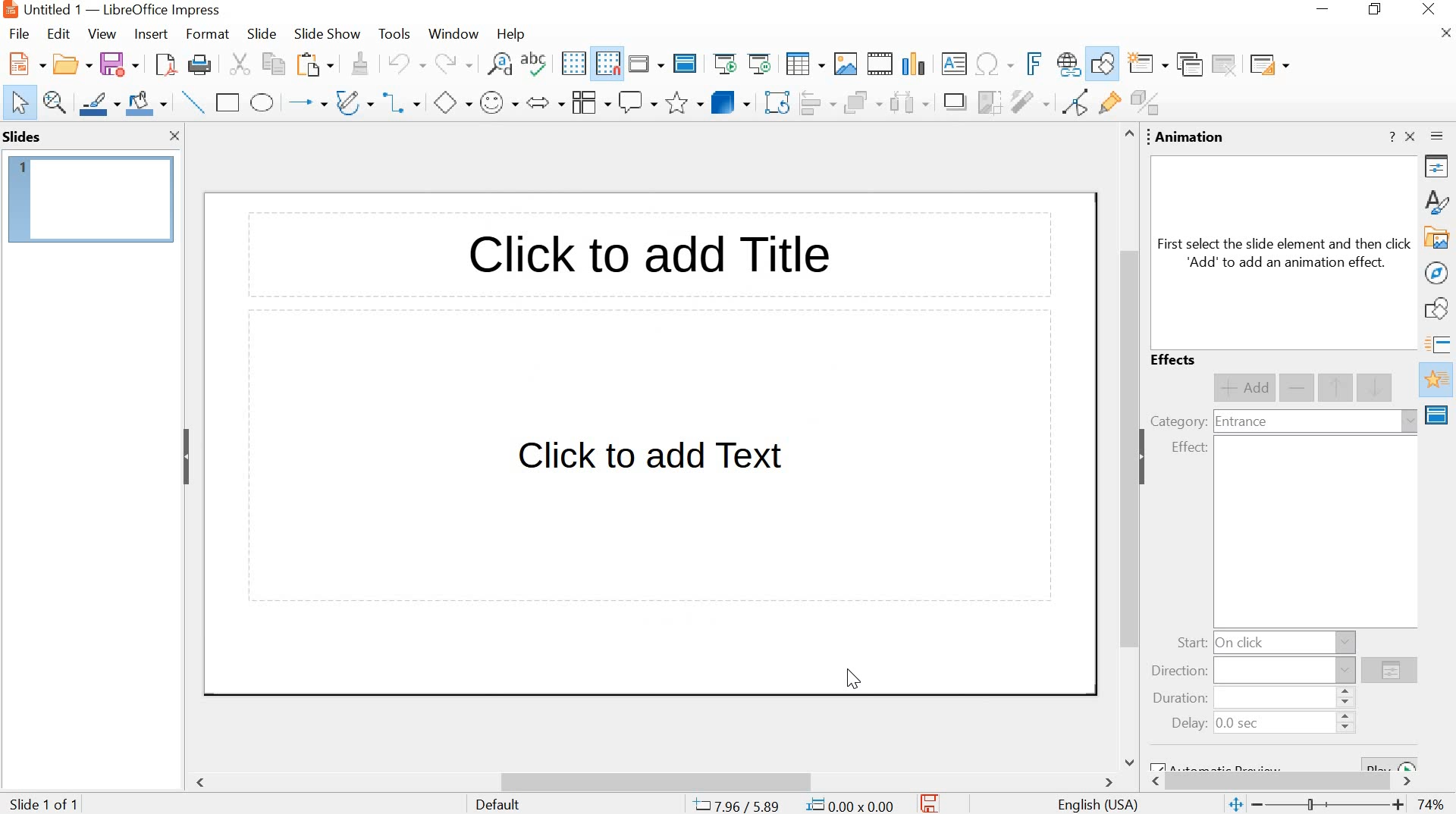 This screenshot has width=1456, height=814. What do you see at coordinates (588, 102) in the screenshot?
I see `flowchart` at bounding box center [588, 102].